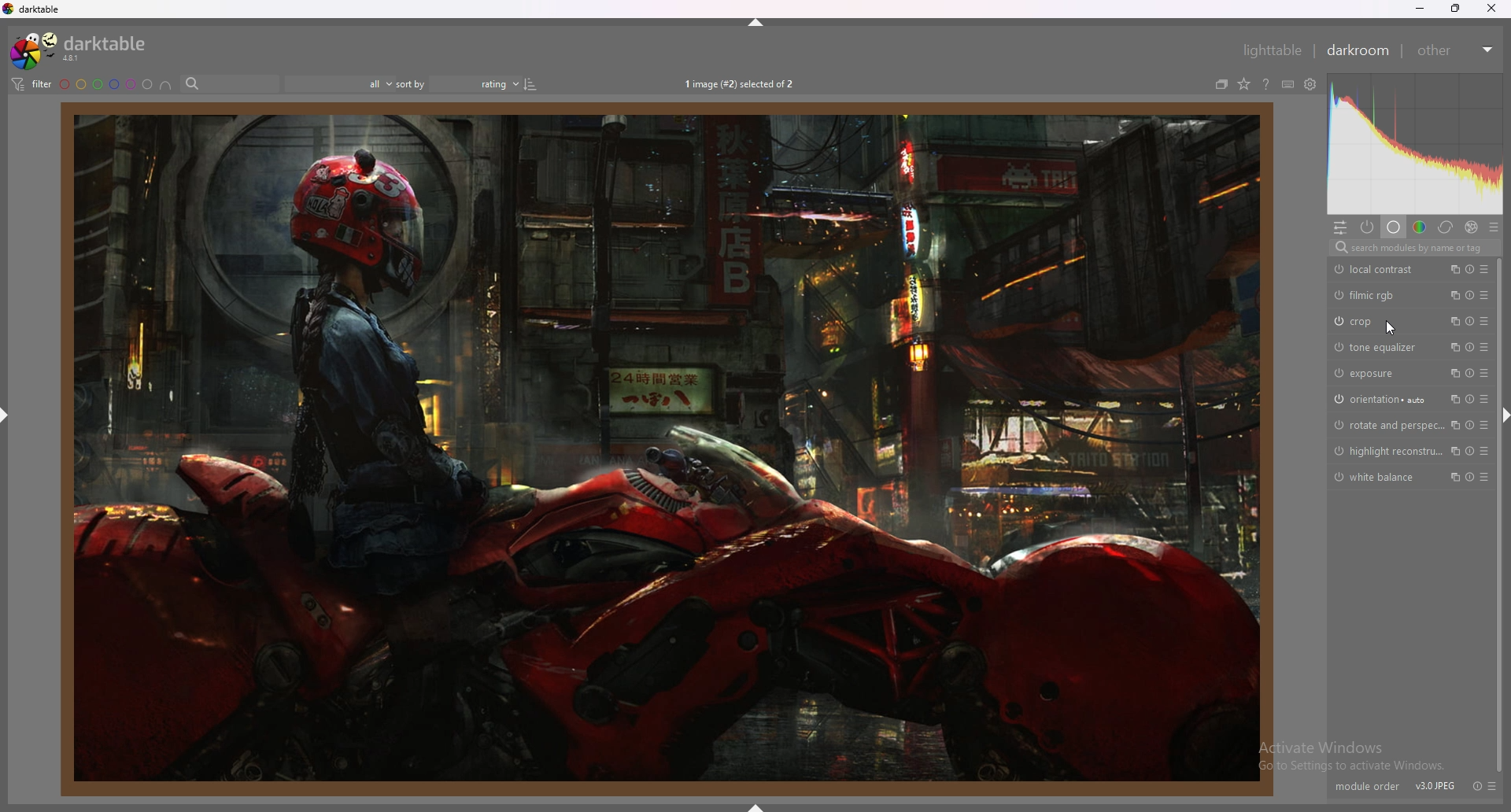 Image resolution: width=1511 pixels, height=812 pixels. Describe the element at coordinates (1379, 269) in the screenshot. I see `local contrast` at that location.